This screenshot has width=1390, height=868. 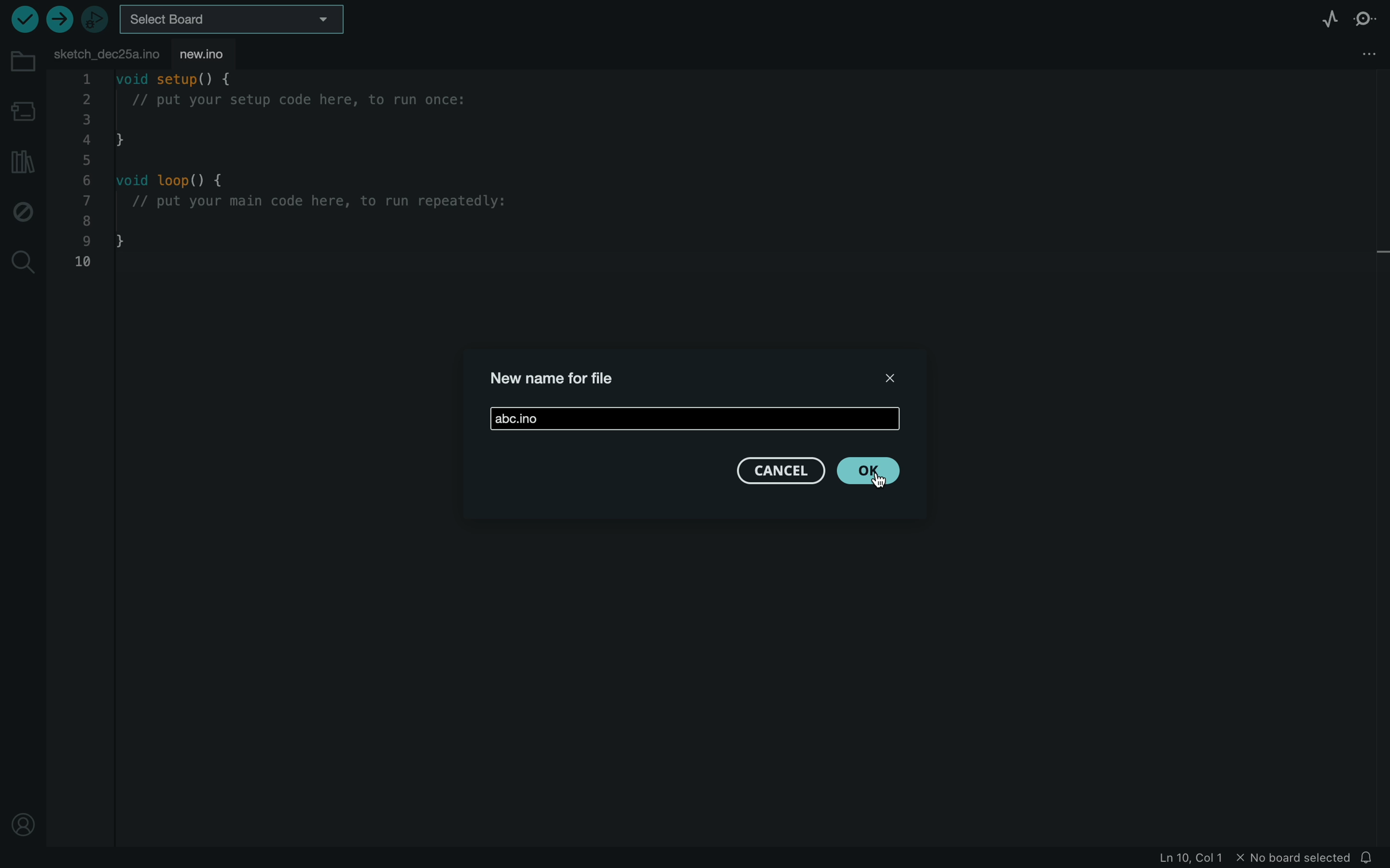 What do you see at coordinates (880, 478) in the screenshot?
I see `cursor` at bounding box center [880, 478].